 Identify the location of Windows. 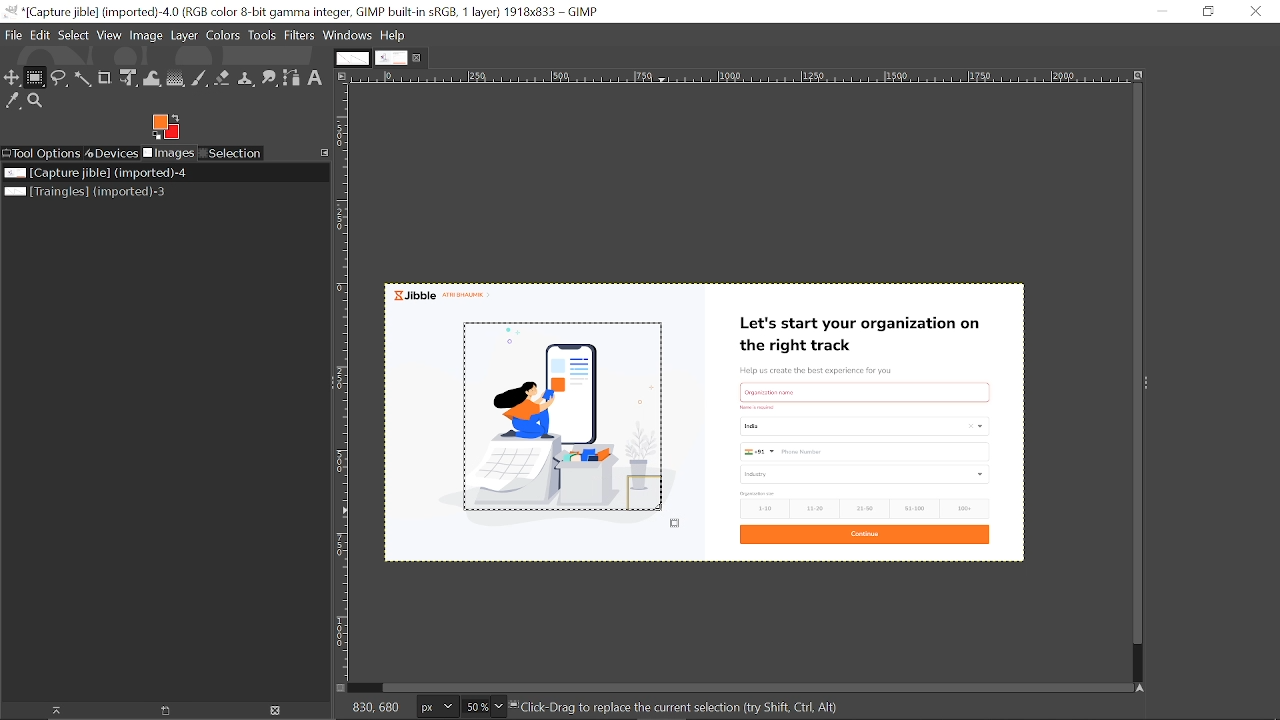
(347, 35).